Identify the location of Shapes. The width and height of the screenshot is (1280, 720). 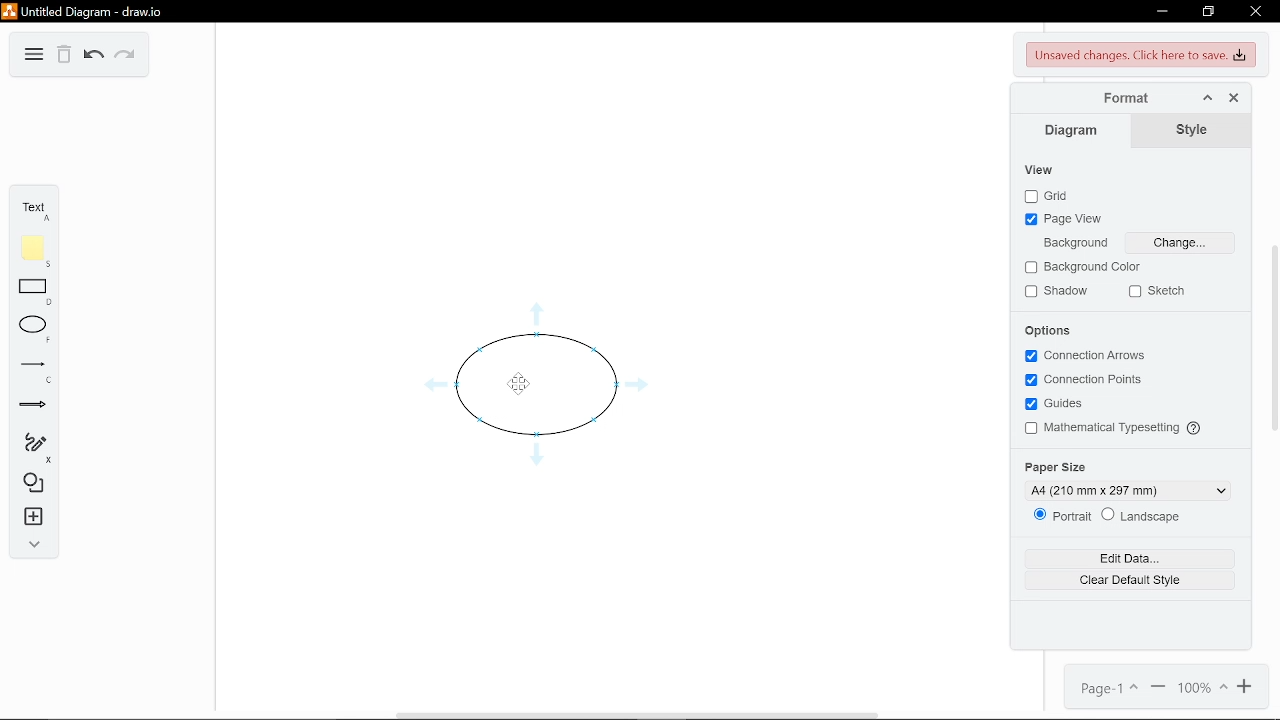
(32, 486).